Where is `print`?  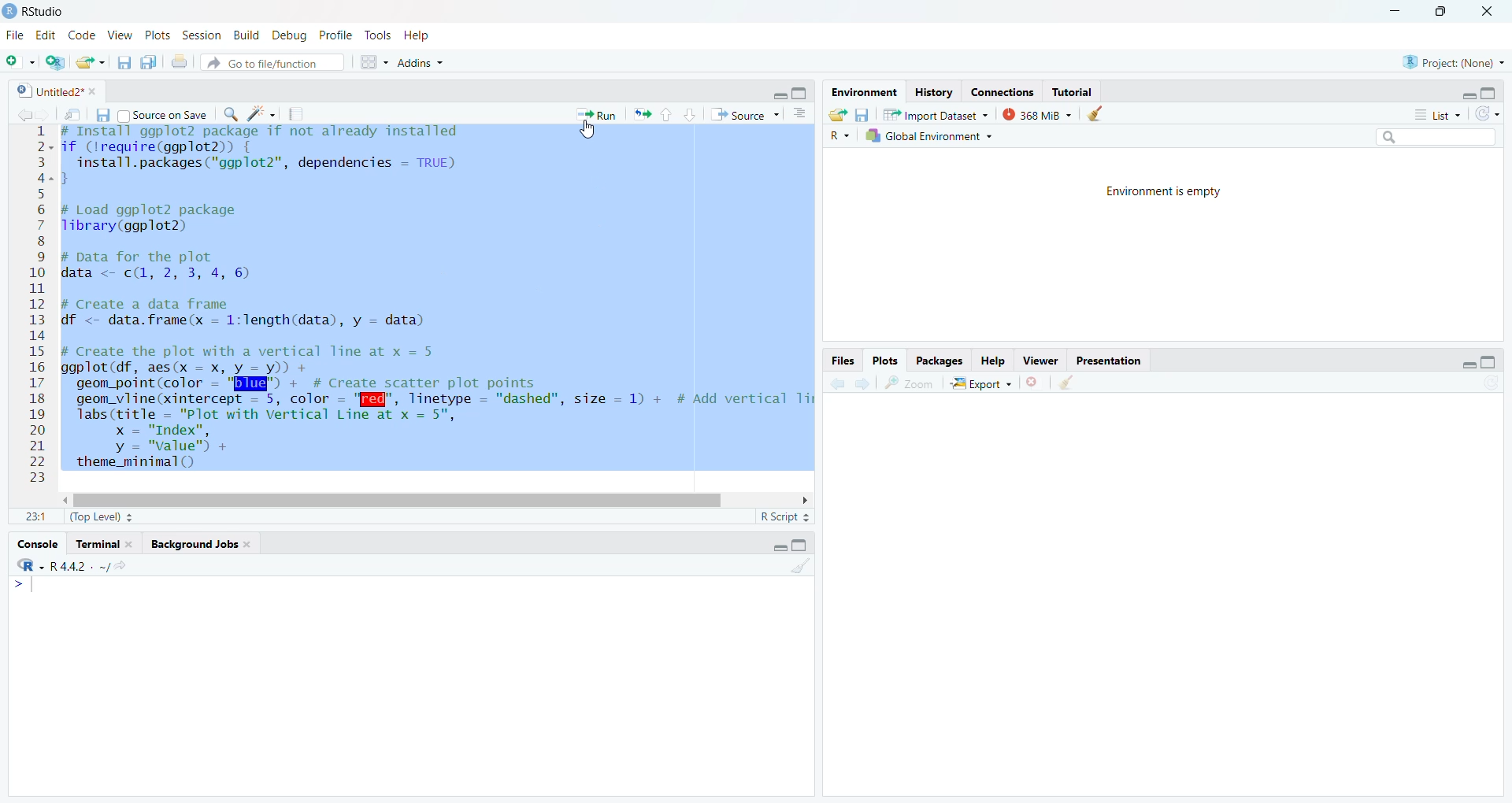
print is located at coordinates (181, 64).